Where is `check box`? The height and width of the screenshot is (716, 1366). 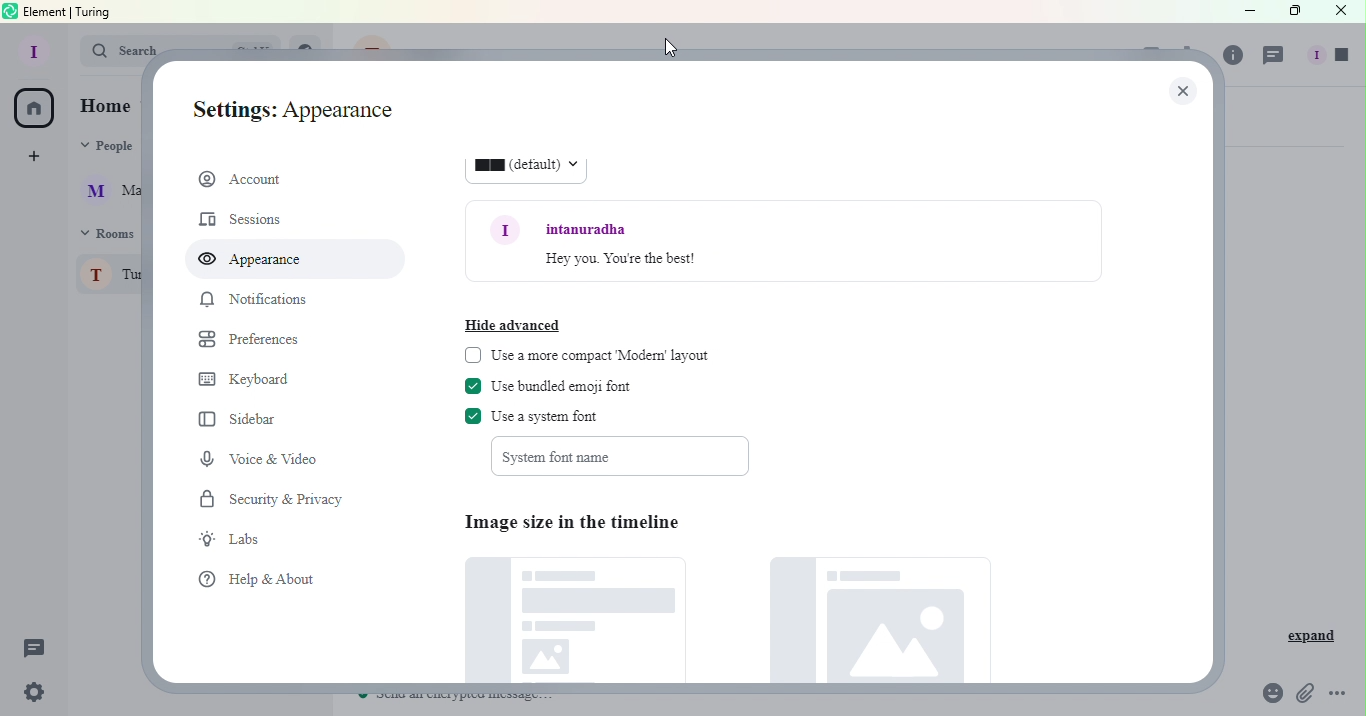 check box is located at coordinates (472, 386).